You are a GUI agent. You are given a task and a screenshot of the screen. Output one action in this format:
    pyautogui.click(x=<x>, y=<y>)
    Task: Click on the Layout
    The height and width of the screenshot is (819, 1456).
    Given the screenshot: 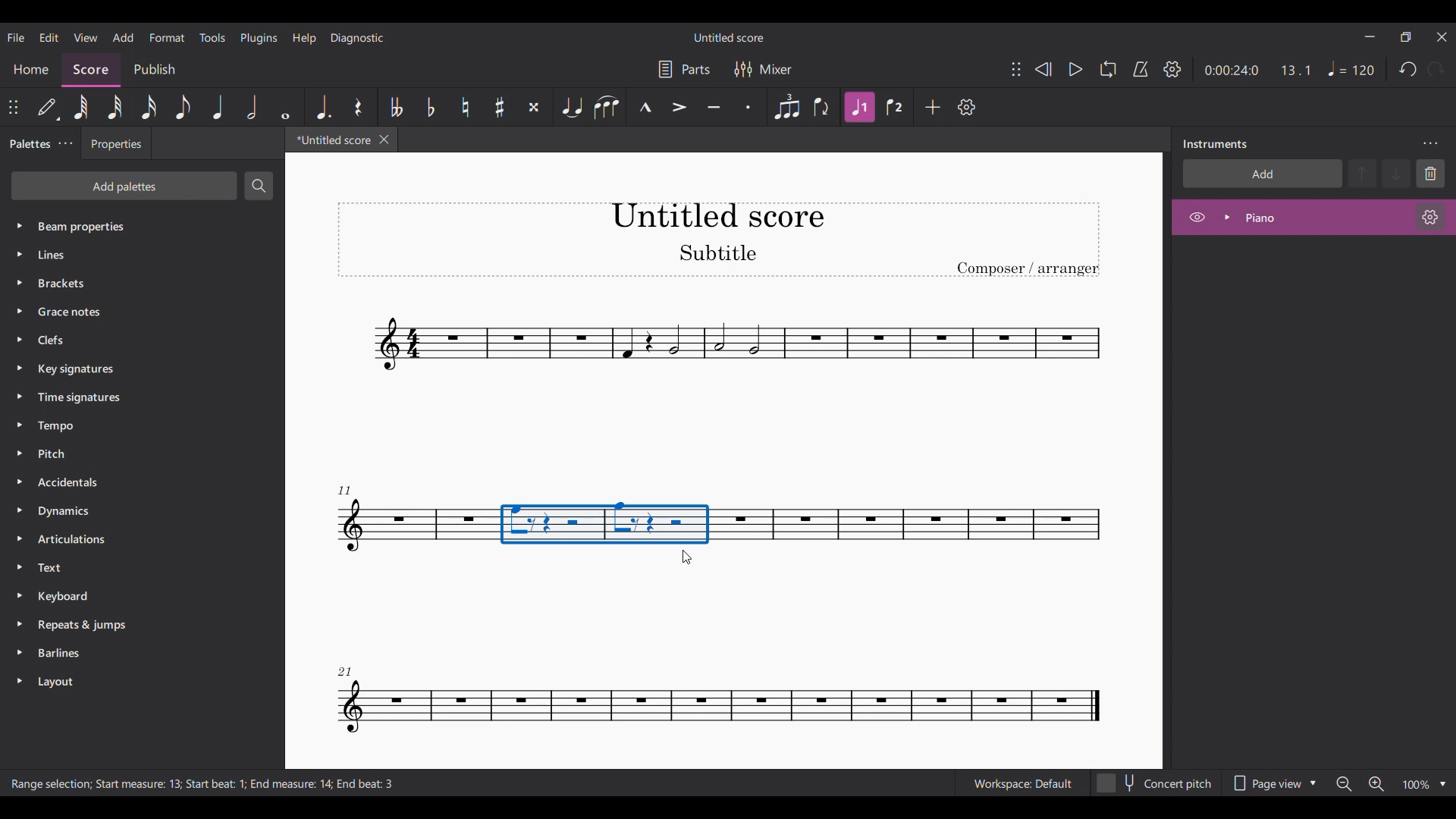 What is the action you would take?
    pyautogui.click(x=130, y=682)
    